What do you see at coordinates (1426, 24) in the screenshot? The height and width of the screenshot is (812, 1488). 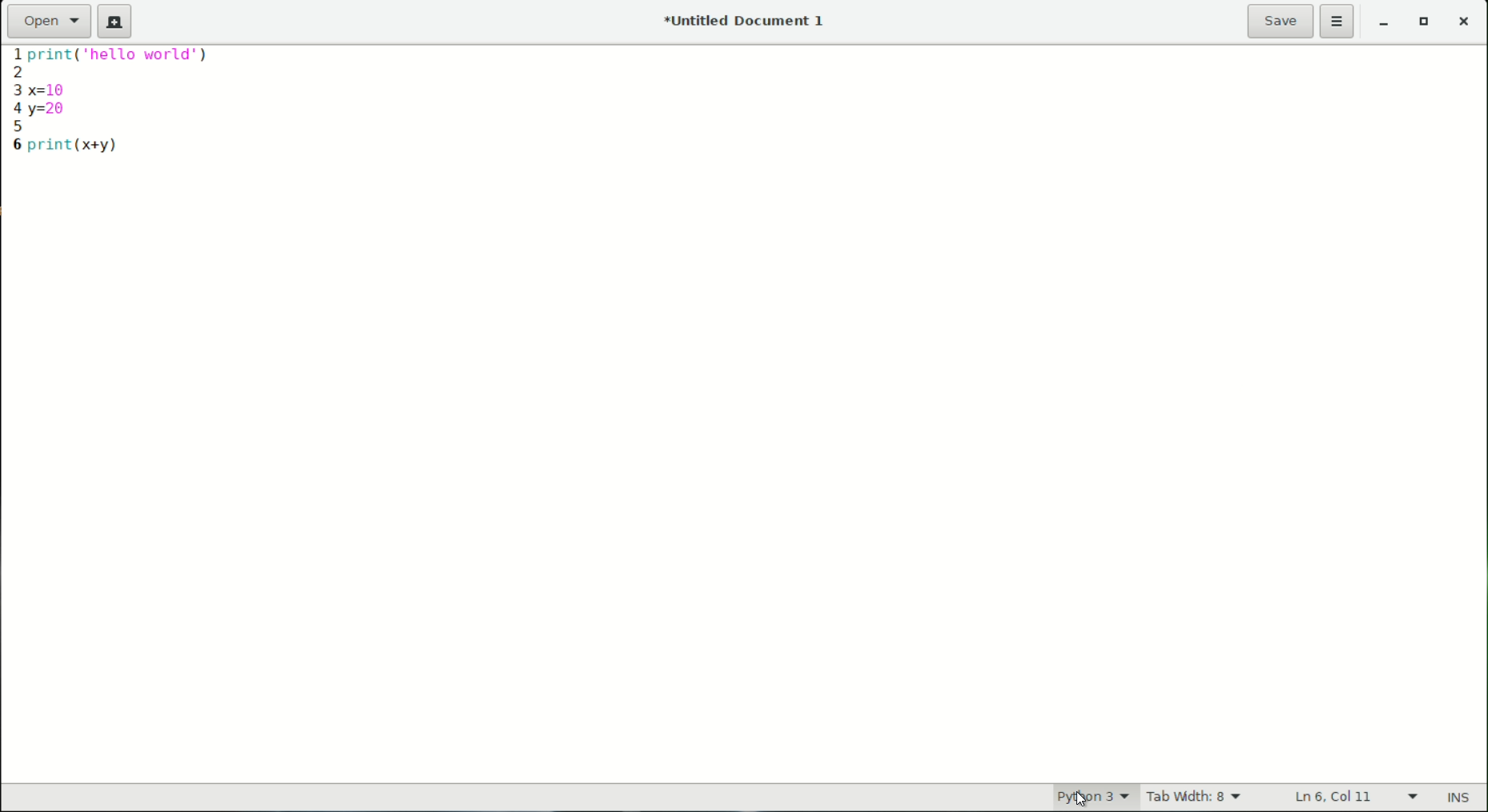 I see `full screen` at bounding box center [1426, 24].